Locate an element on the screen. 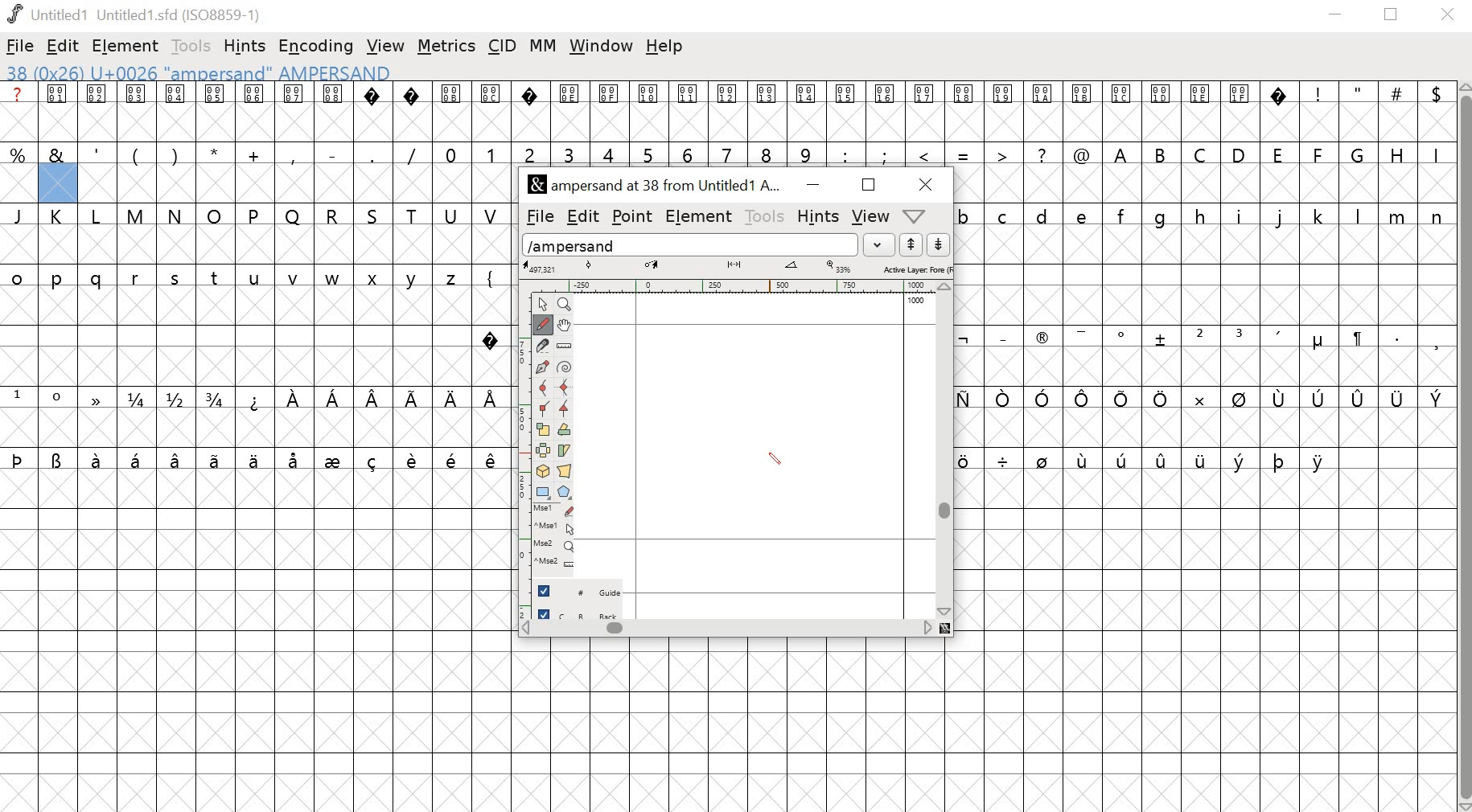  view is located at coordinates (386, 43).